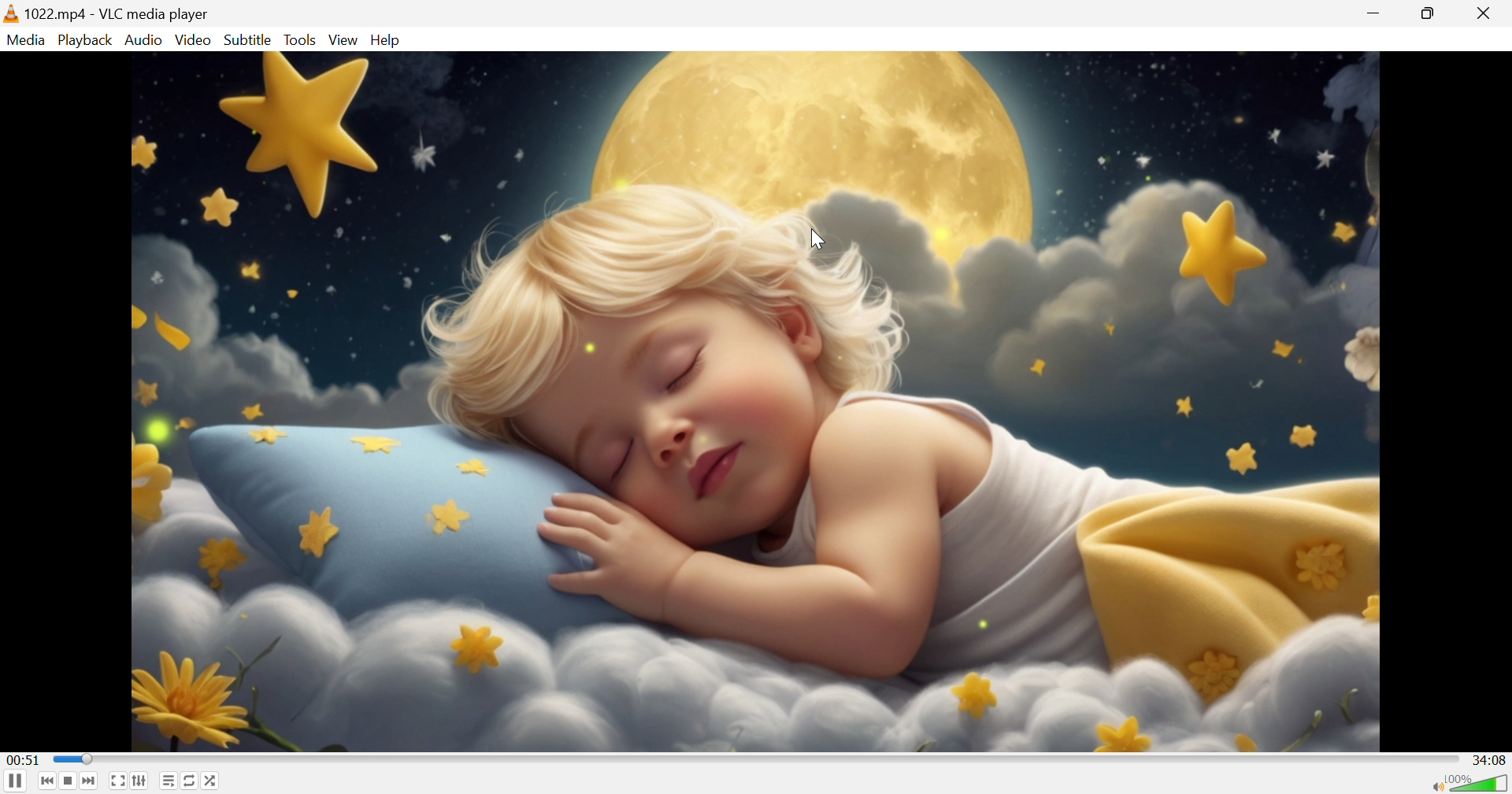 This screenshot has width=1512, height=794. Describe the element at coordinates (69, 783) in the screenshot. I see `Stop playback` at that location.